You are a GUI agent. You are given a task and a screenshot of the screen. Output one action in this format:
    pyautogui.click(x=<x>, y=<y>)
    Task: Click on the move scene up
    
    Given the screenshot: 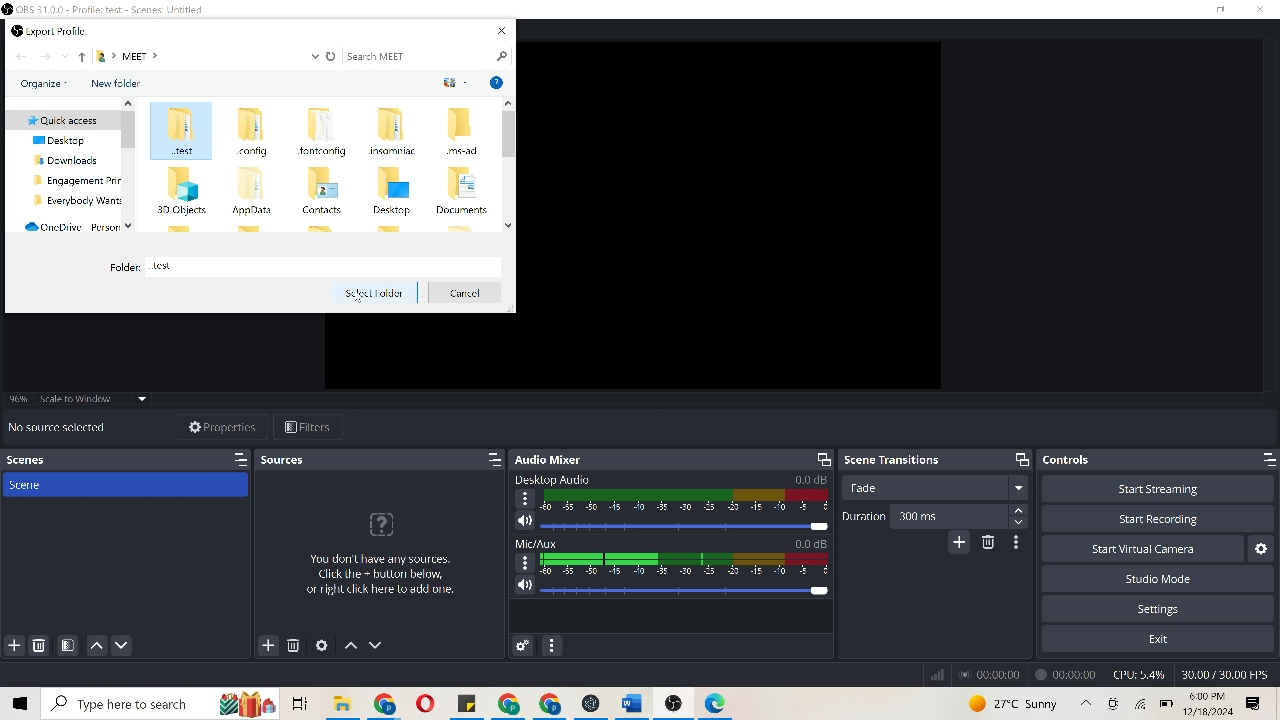 What is the action you would take?
    pyautogui.click(x=97, y=643)
    